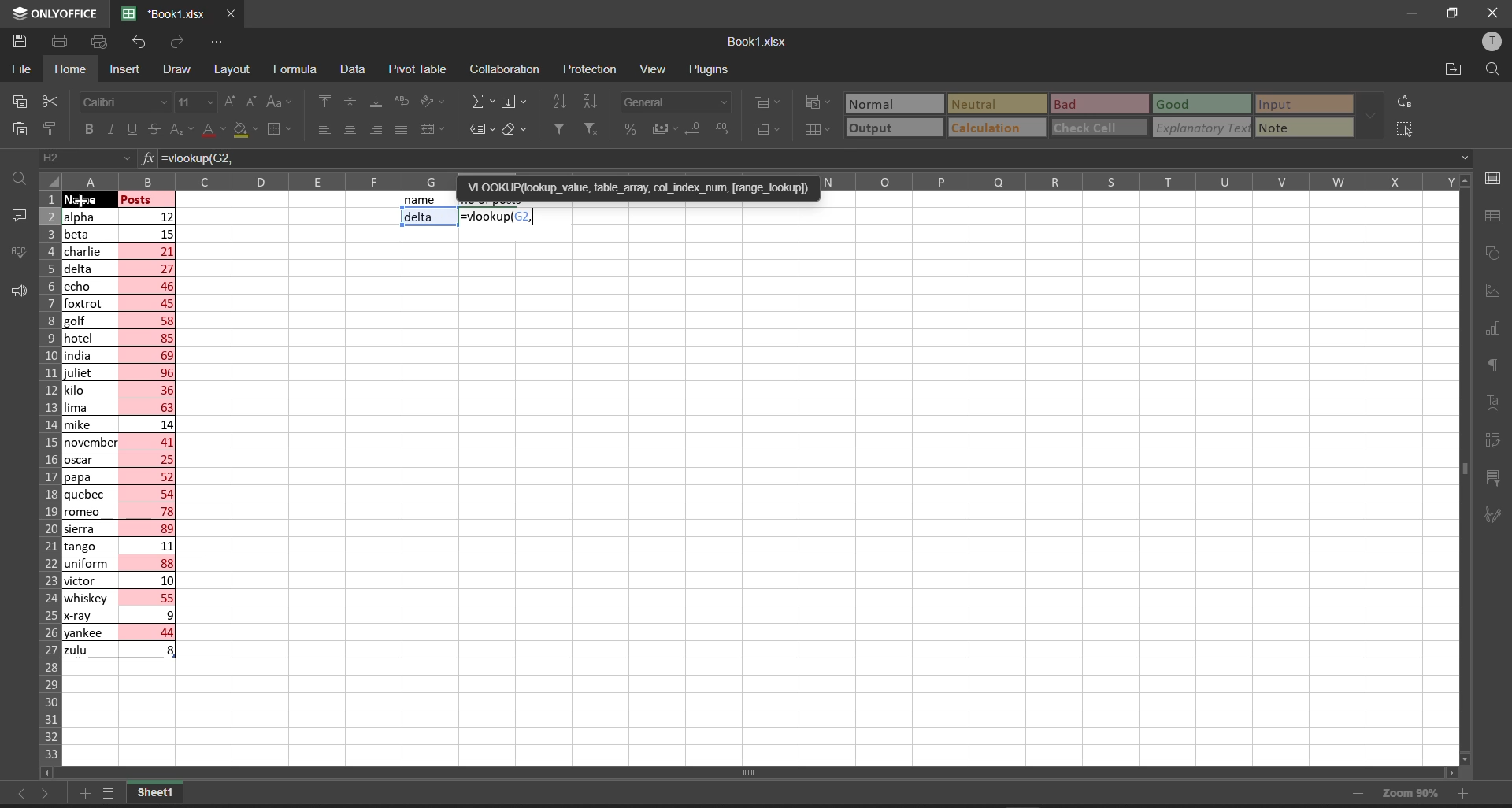  I want to click on names, so click(87, 433).